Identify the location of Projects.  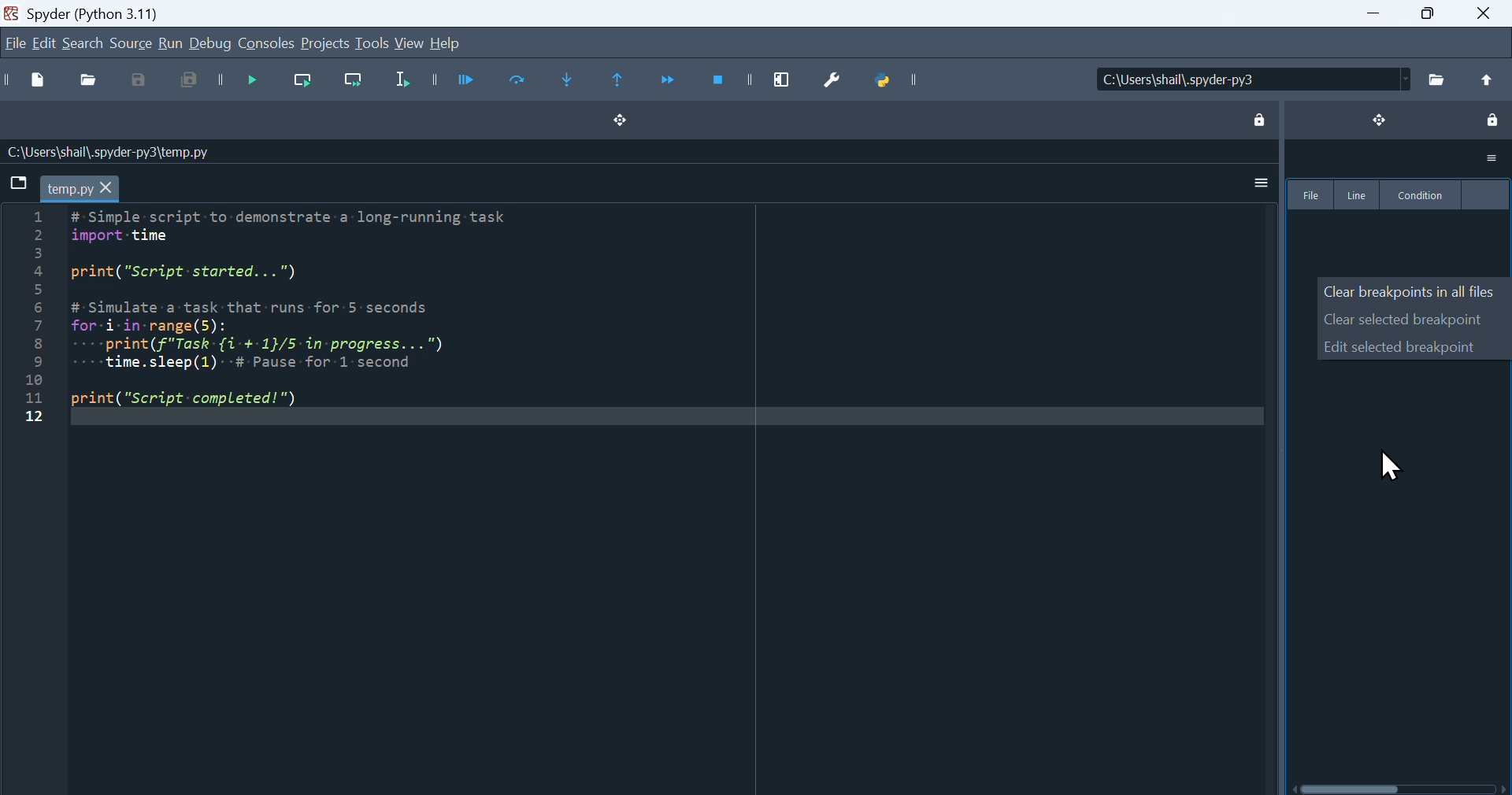
(324, 44).